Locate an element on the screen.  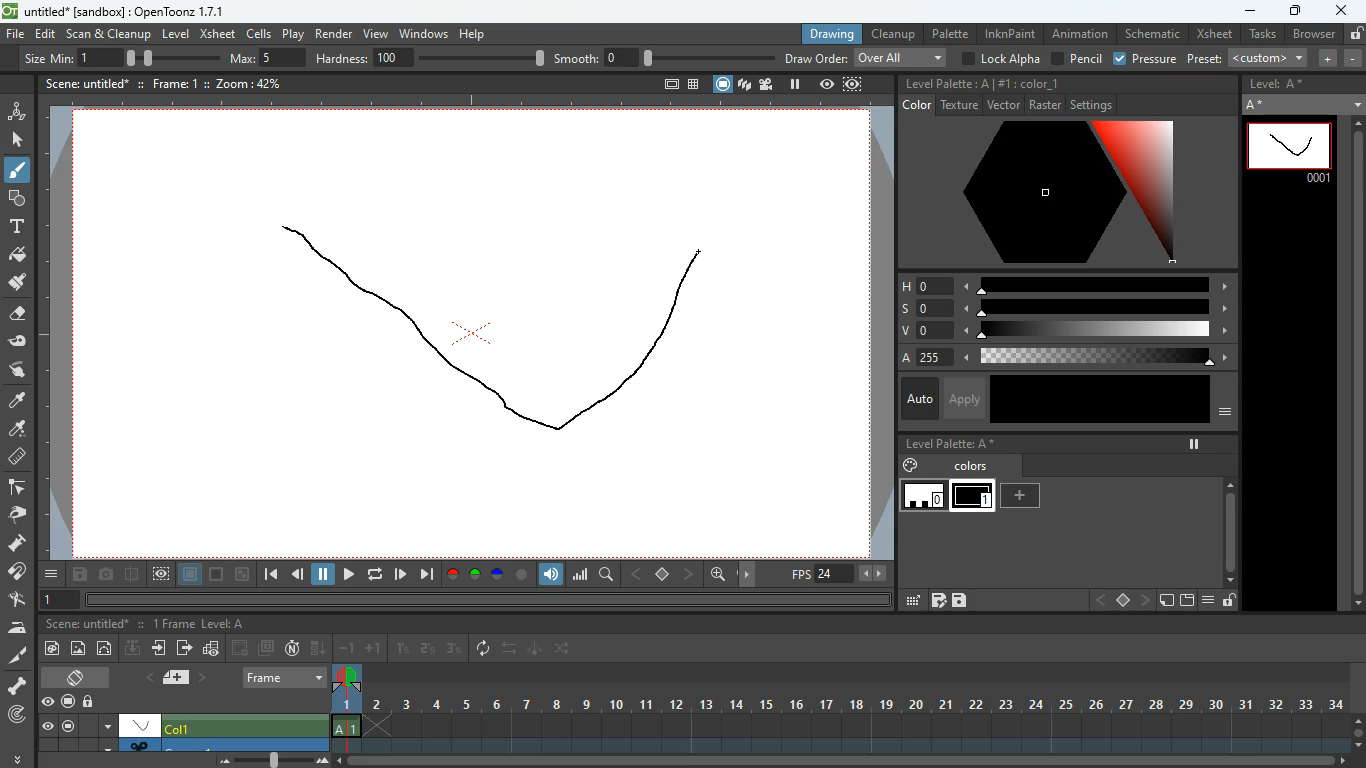
right is located at coordinates (750, 575).